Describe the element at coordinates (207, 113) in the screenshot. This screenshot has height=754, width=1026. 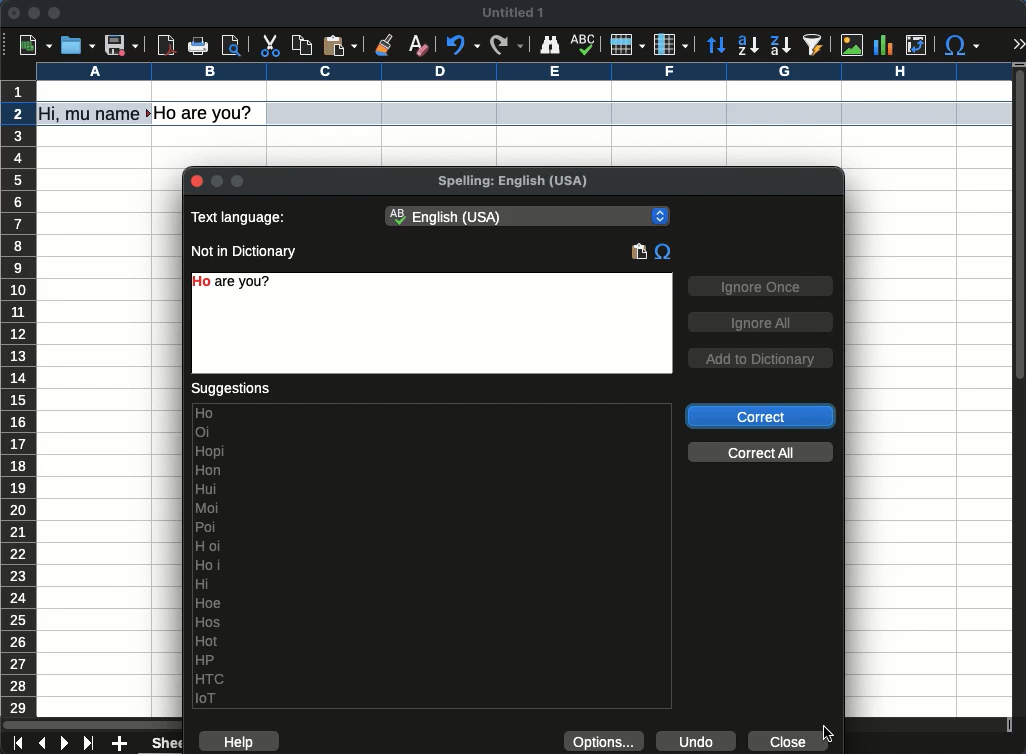
I see `Hoi are you?` at that location.